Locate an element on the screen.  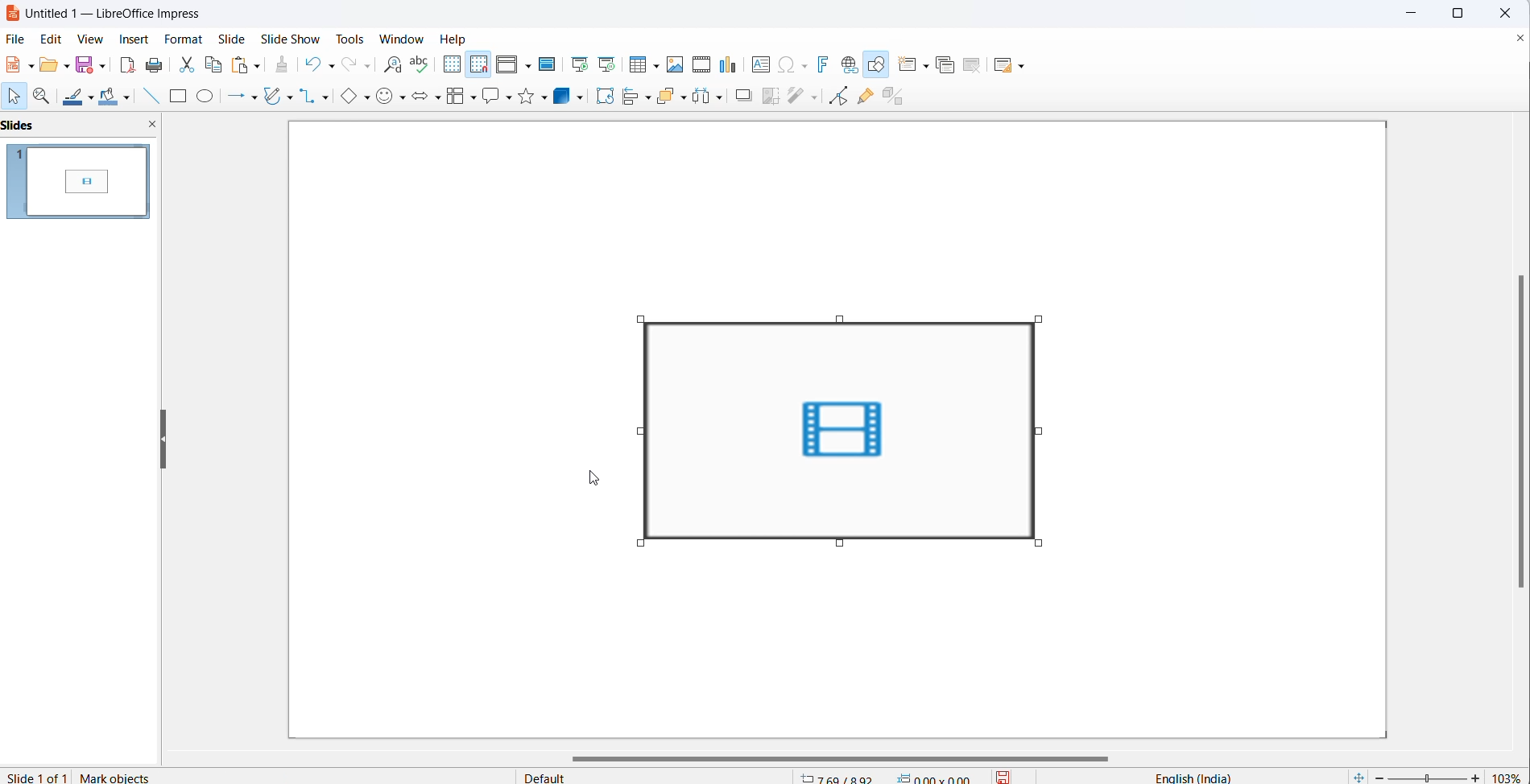
video file is located at coordinates (845, 431).